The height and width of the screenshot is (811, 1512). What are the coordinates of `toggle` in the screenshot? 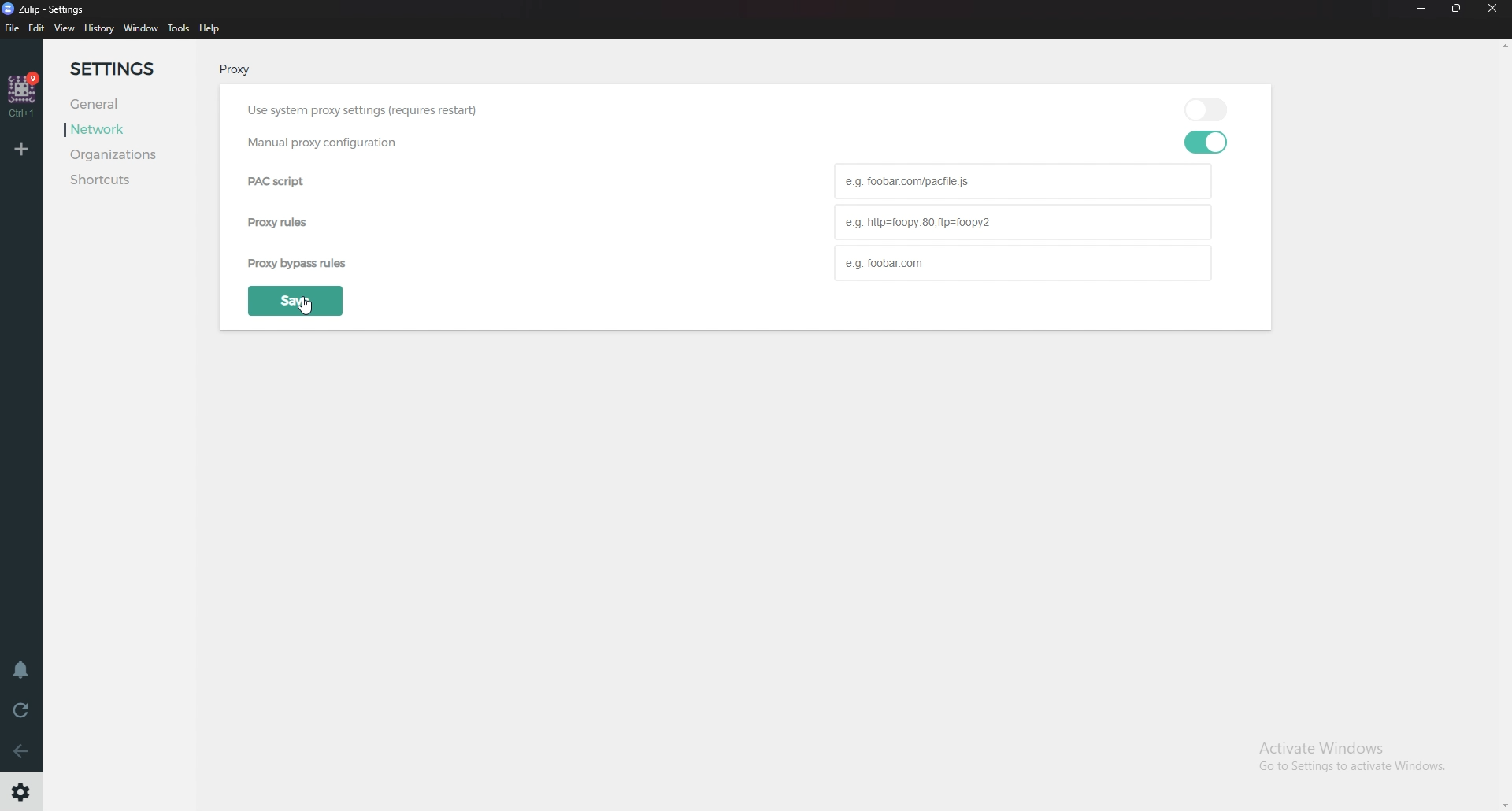 It's located at (1206, 142).